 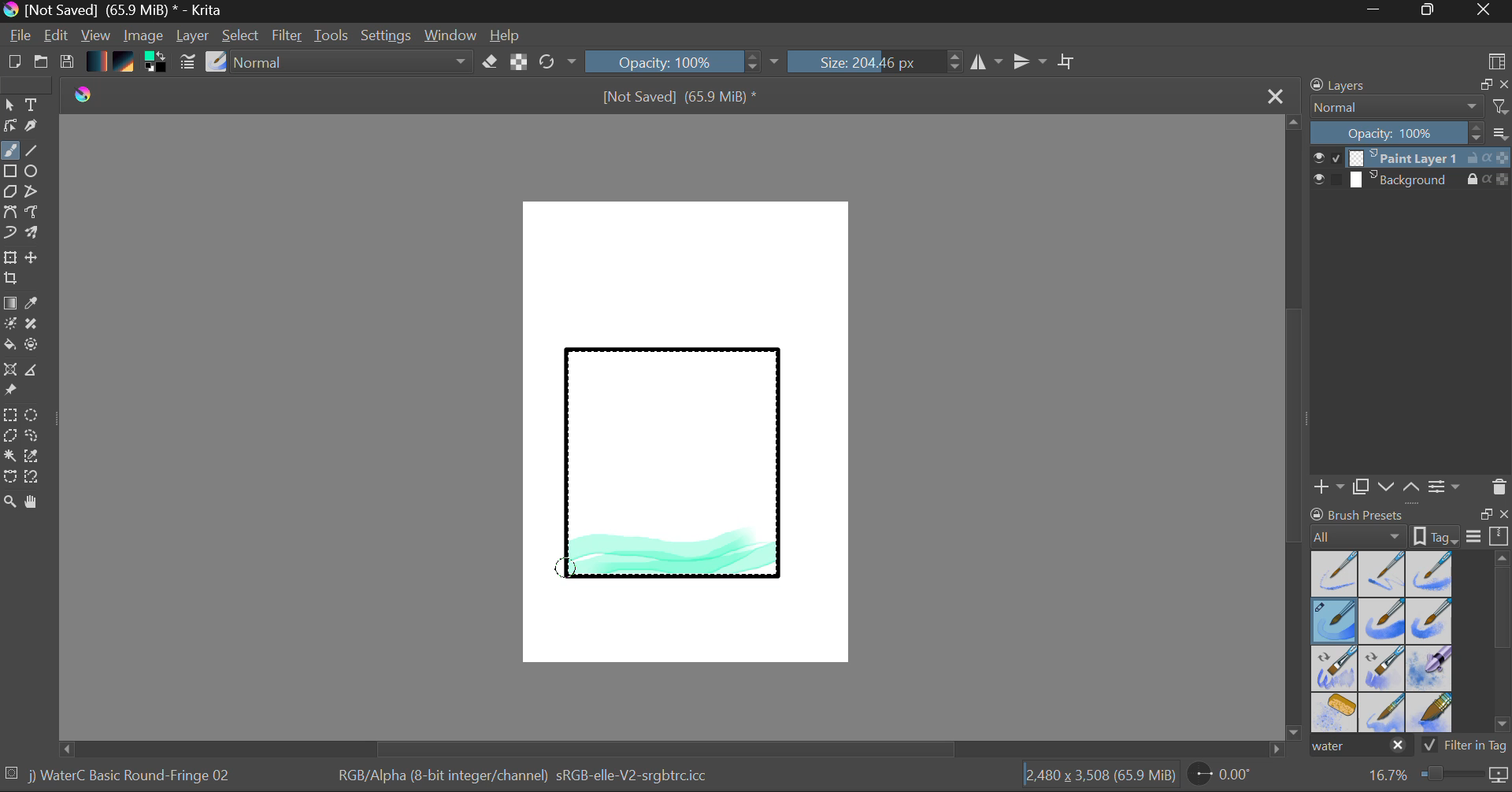 What do you see at coordinates (13, 279) in the screenshot?
I see `Crop` at bounding box center [13, 279].